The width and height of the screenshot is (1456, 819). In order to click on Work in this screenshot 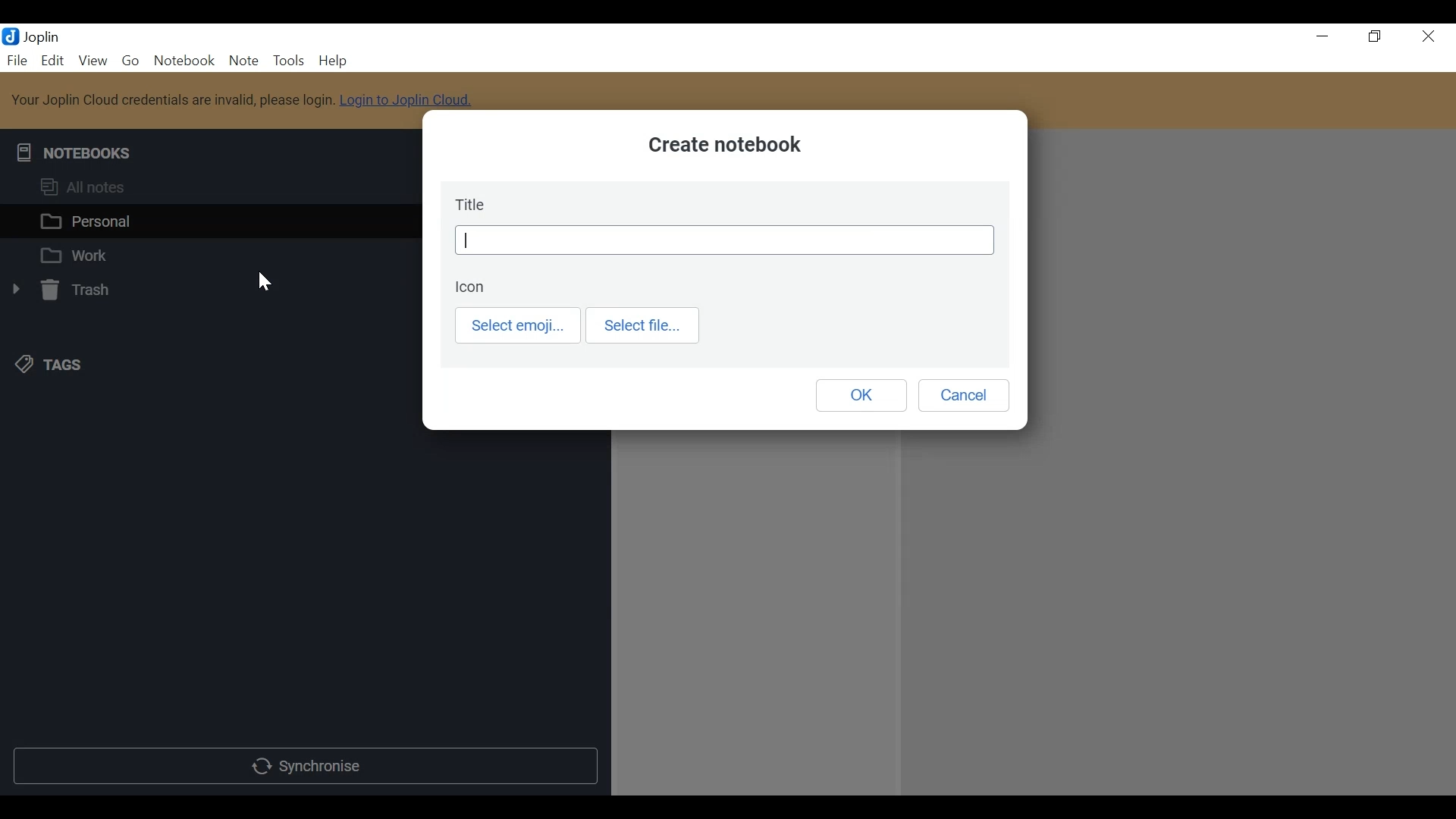, I will do `click(210, 255)`.